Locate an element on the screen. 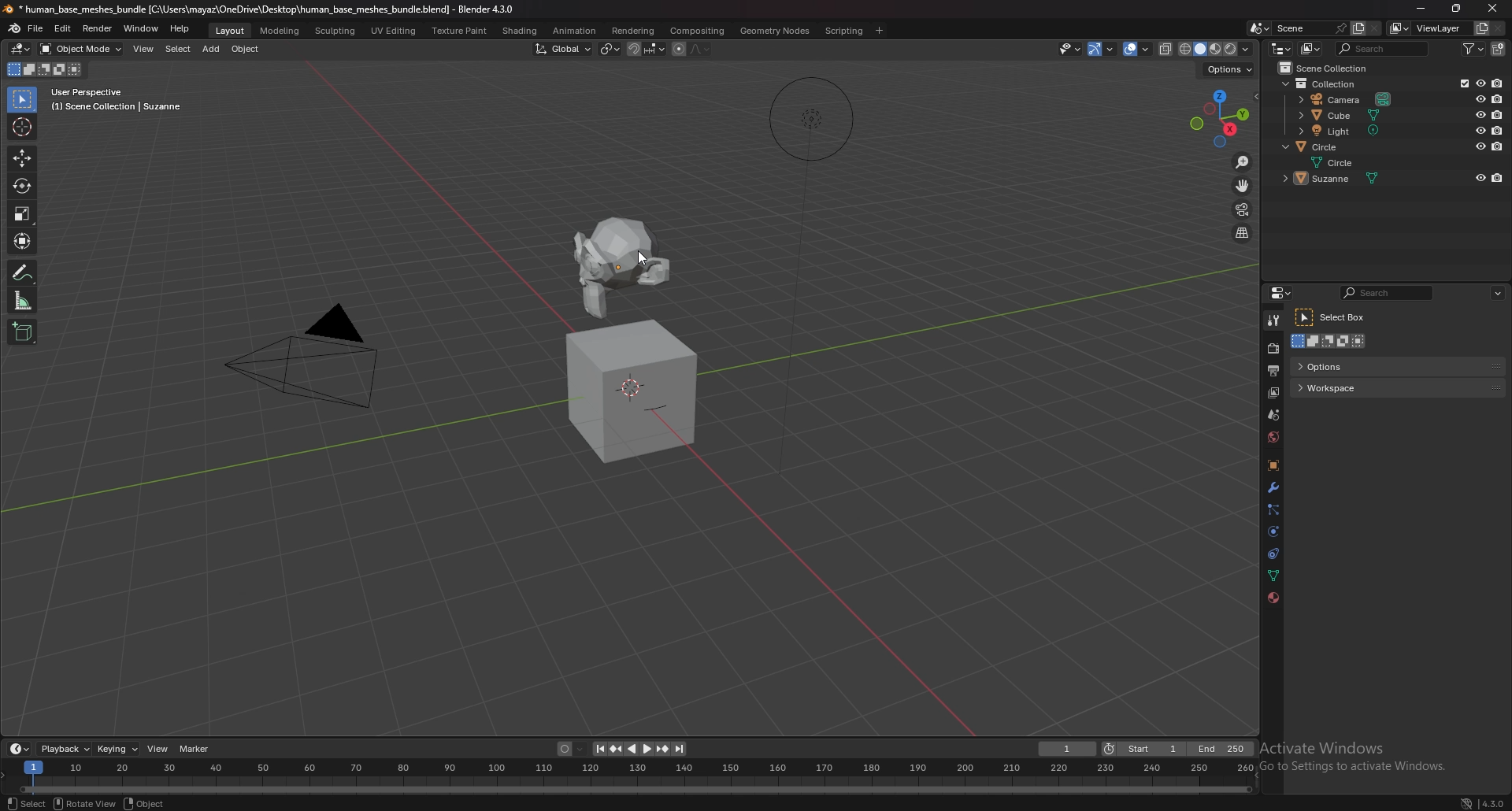 The height and width of the screenshot is (811, 1512). end is located at coordinates (1222, 748).